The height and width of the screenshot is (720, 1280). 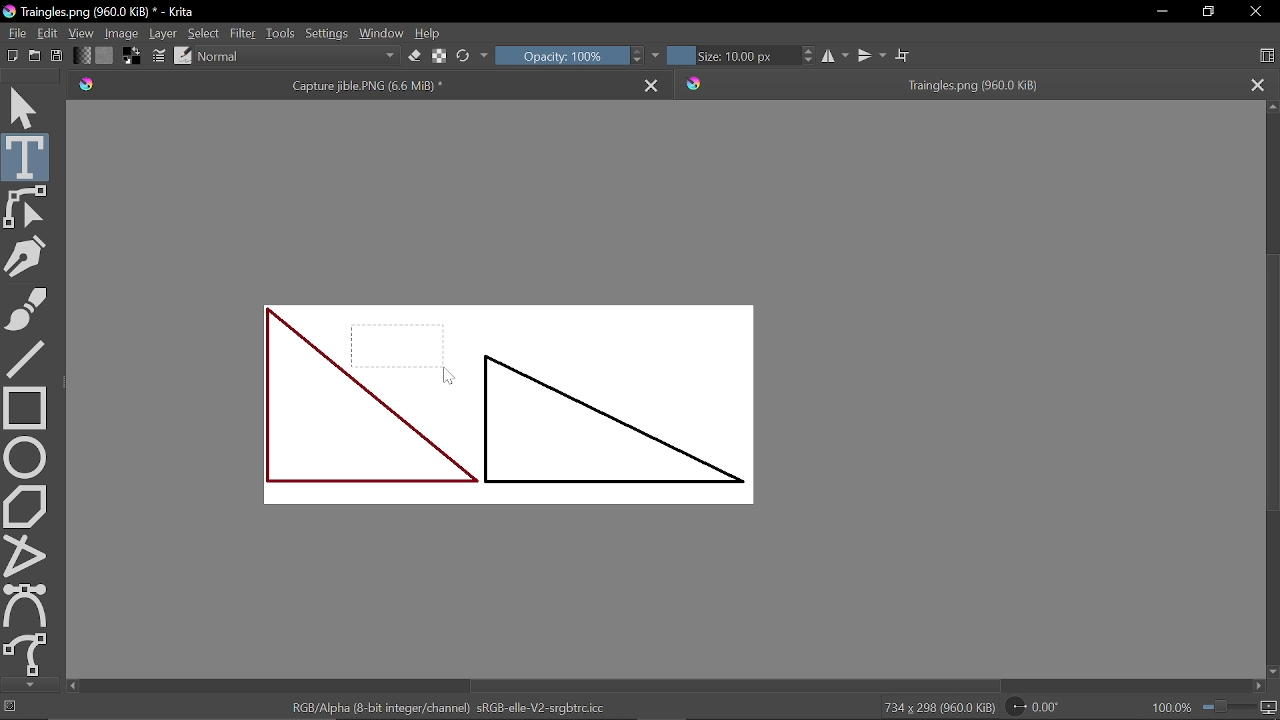 What do you see at coordinates (133, 57) in the screenshot?
I see `Foreground color` at bounding box center [133, 57].